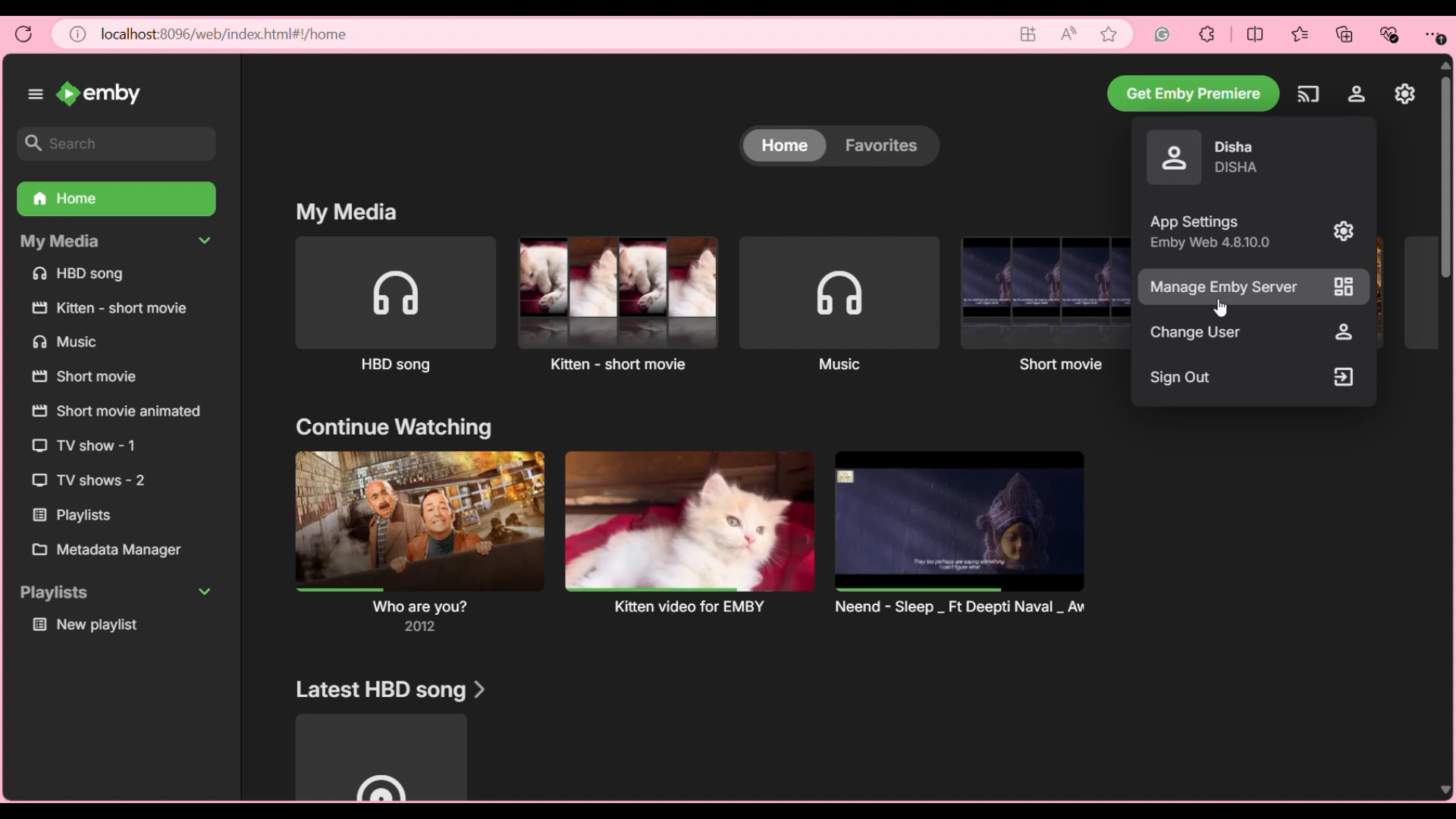 The height and width of the screenshot is (819, 1456). Describe the element at coordinates (1447, 428) in the screenshot. I see `vertical scroll bar` at that location.